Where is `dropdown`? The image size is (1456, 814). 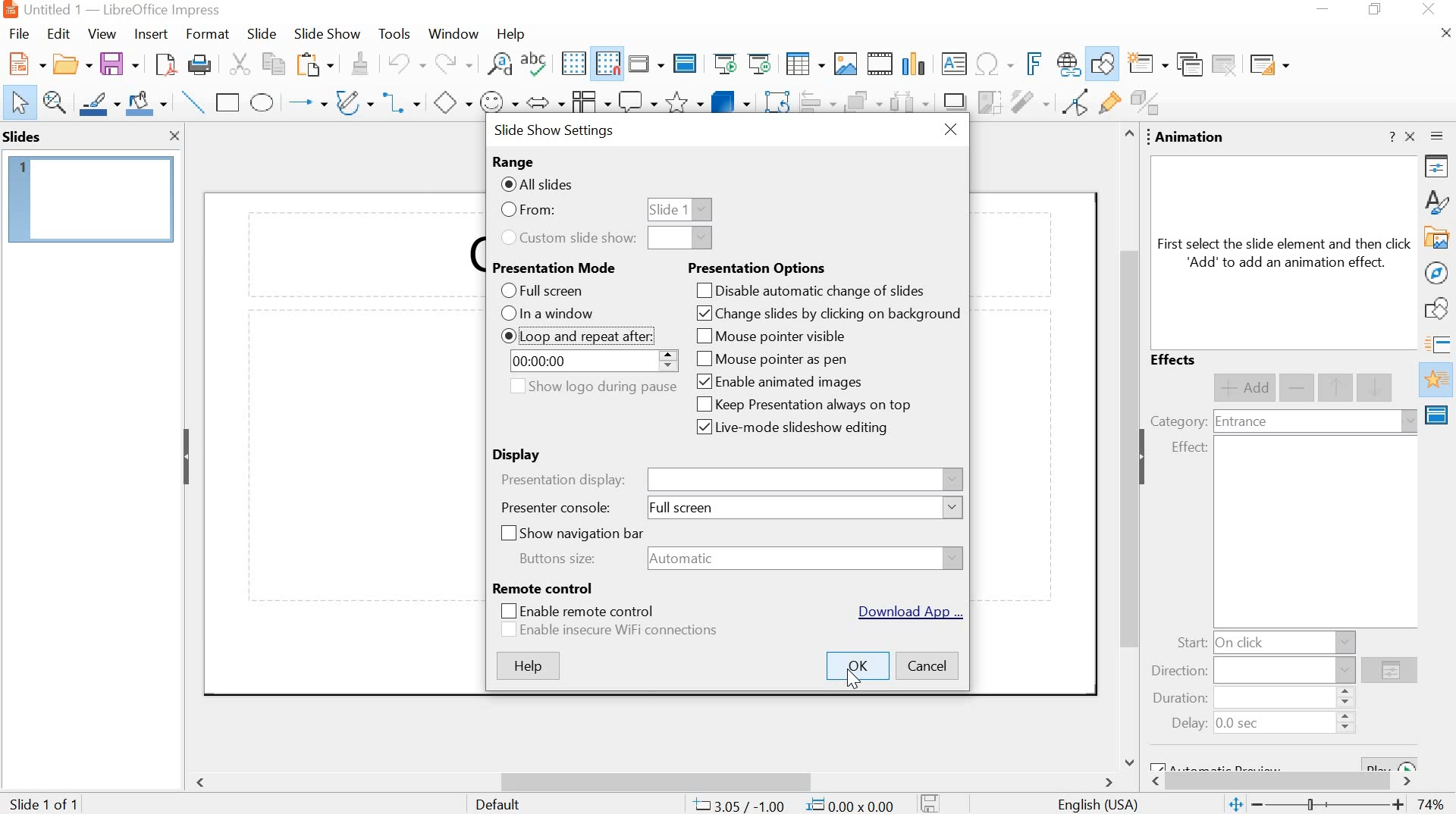 dropdown is located at coordinates (680, 239).